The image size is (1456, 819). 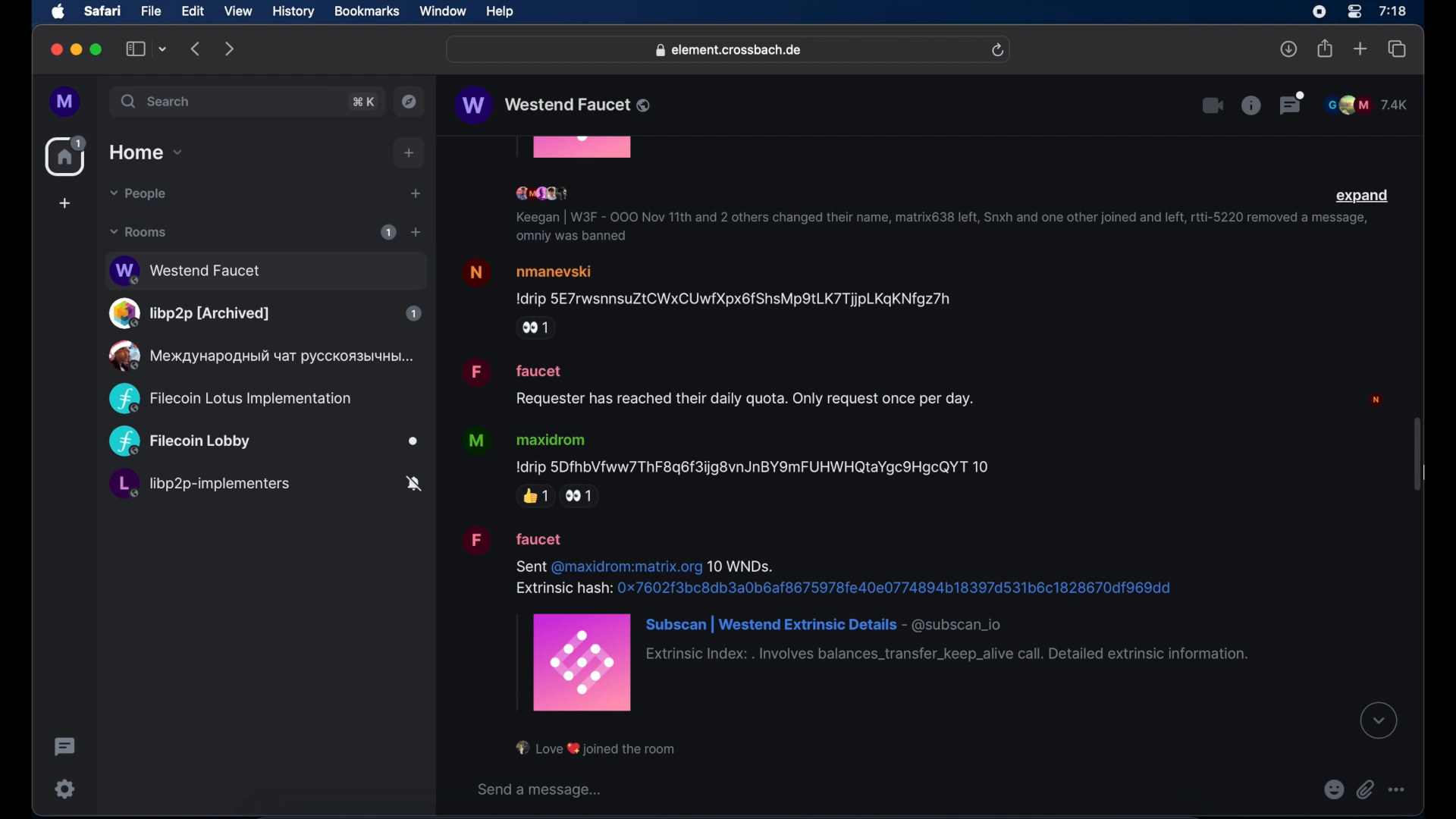 I want to click on start chat, so click(x=415, y=194).